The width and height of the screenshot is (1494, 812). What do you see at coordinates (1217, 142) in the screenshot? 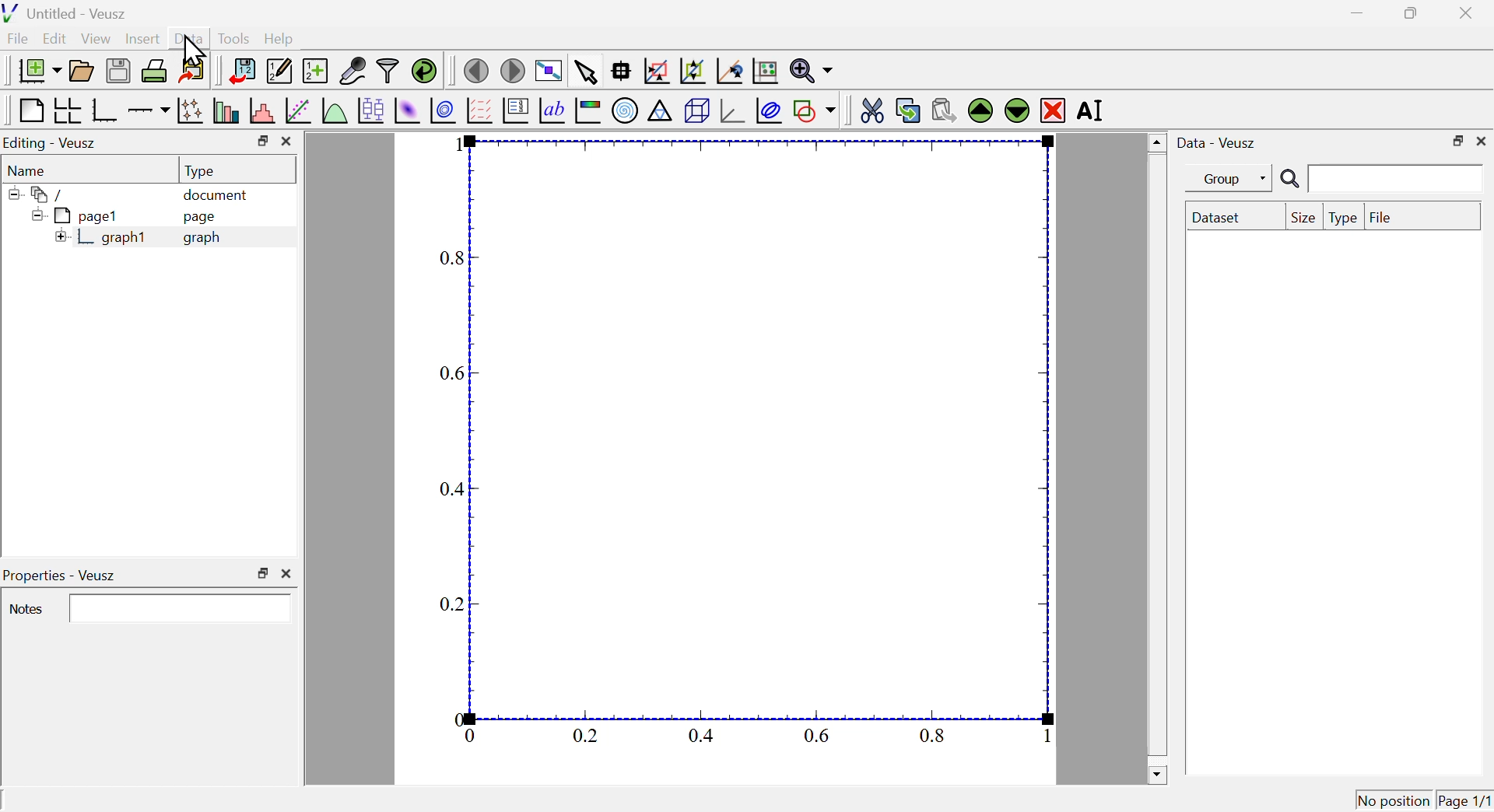
I see `data veusz` at bounding box center [1217, 142].